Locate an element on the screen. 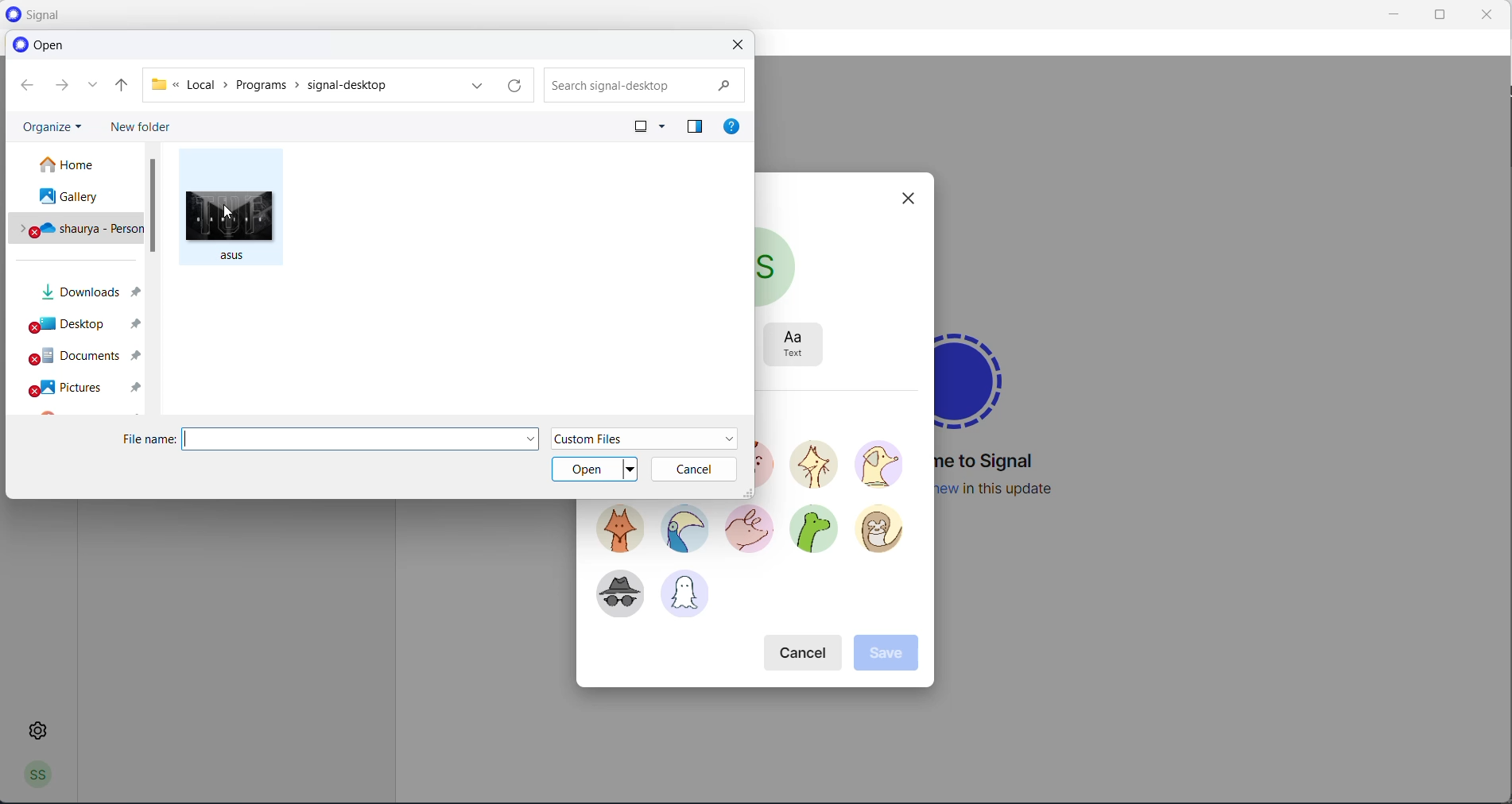 This screenshot has width=1512, height=804. signal logo is located at coordinates (983, 375).